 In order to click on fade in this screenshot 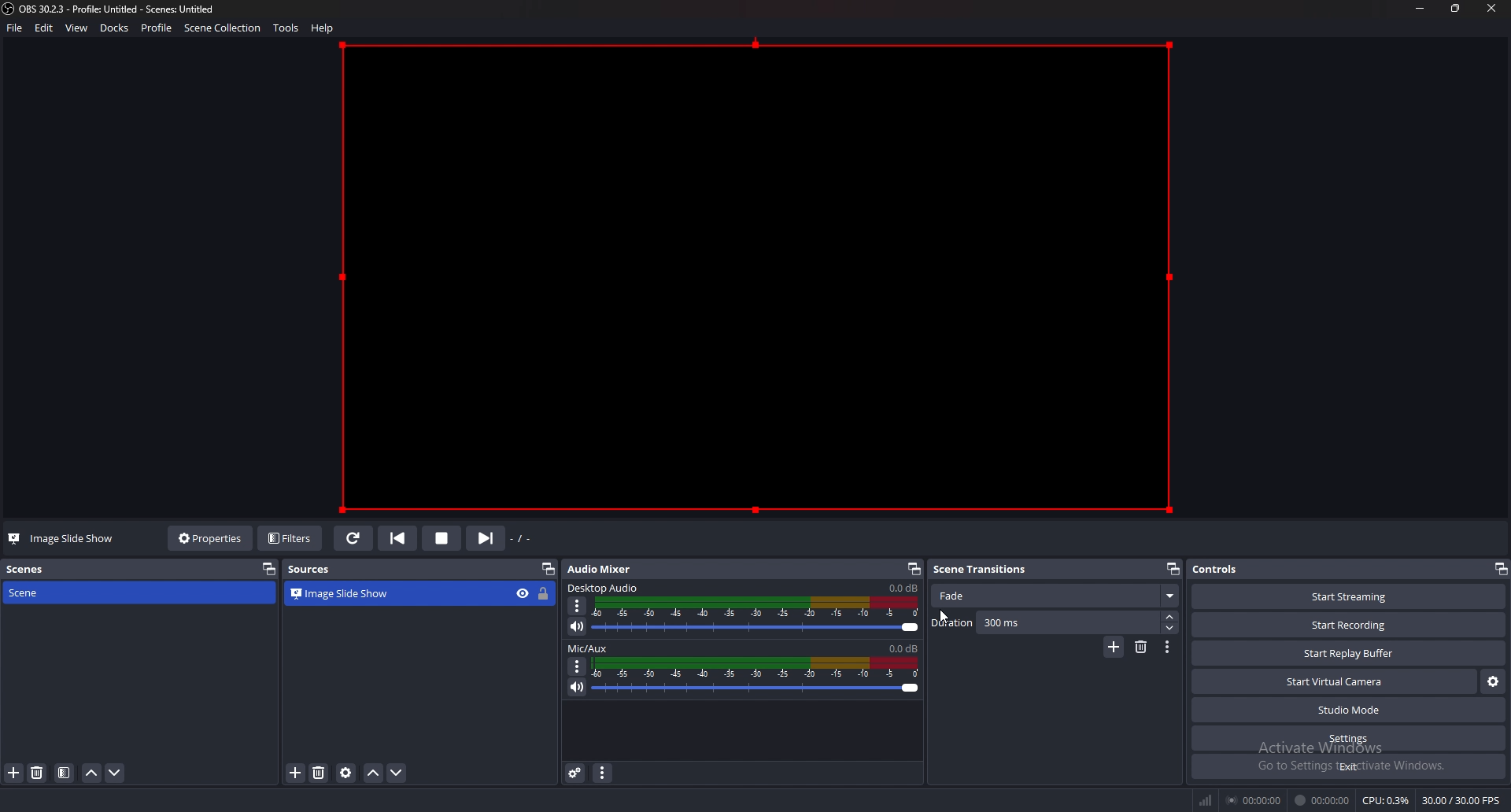, I will do `click(1057, 597)`.